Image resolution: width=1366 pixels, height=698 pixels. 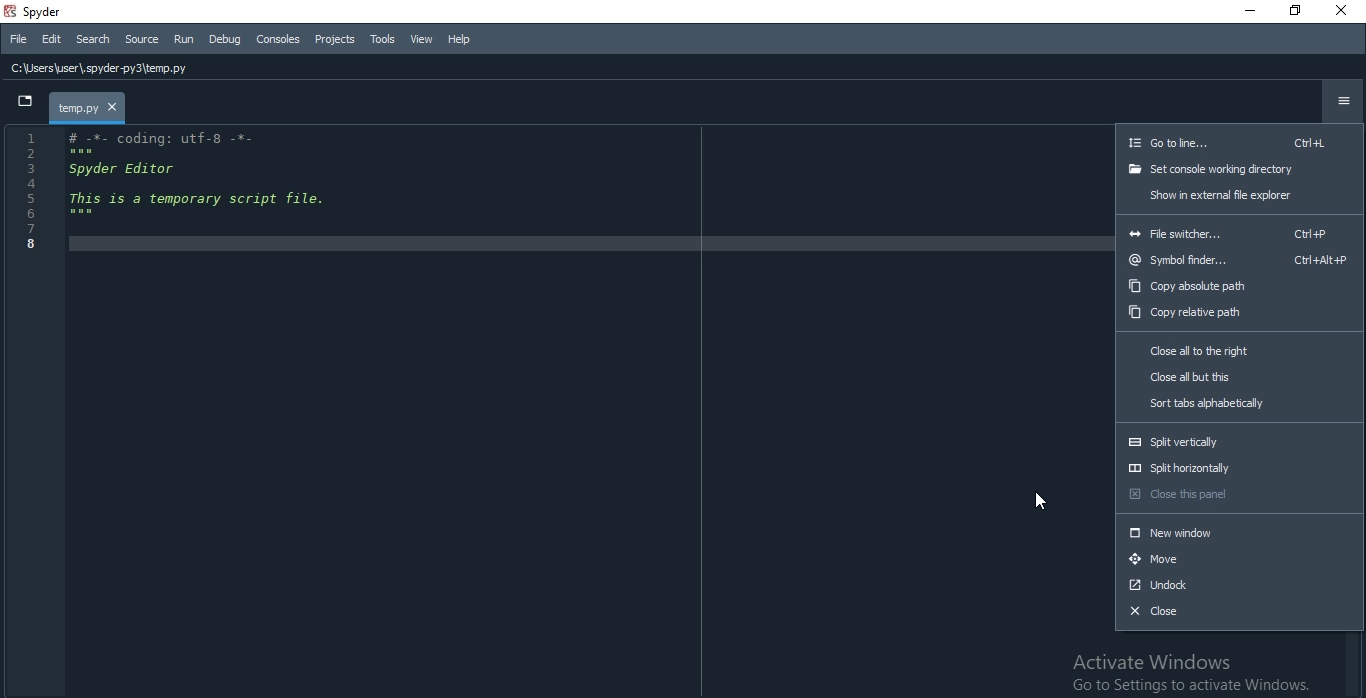 I want to click on Python code, so click(x=166, y=194).